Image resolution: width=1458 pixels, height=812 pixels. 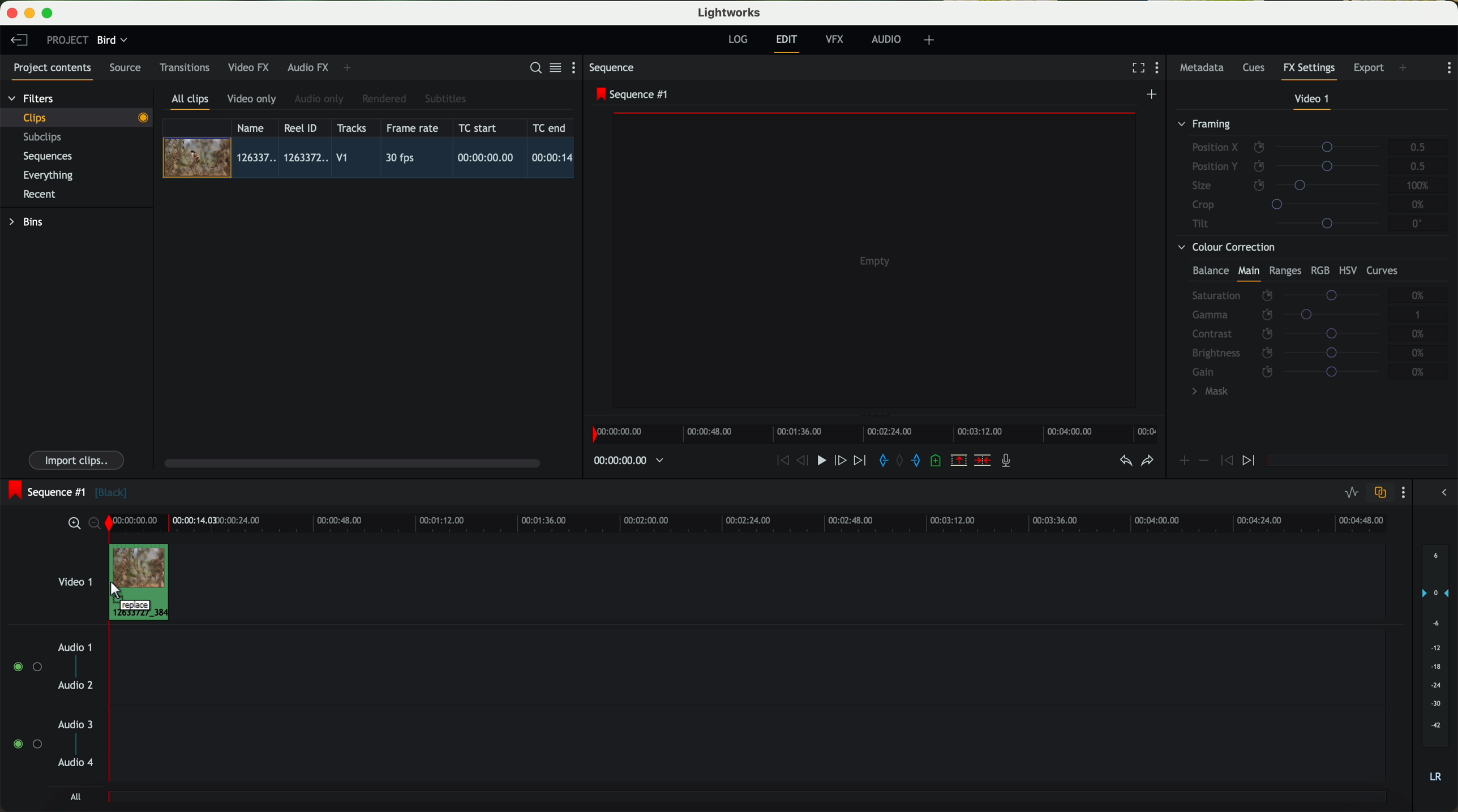 What do you see at coordinates (1211, 272) in the screenshot?
I see `balance` at bounding box center [1211, 272].